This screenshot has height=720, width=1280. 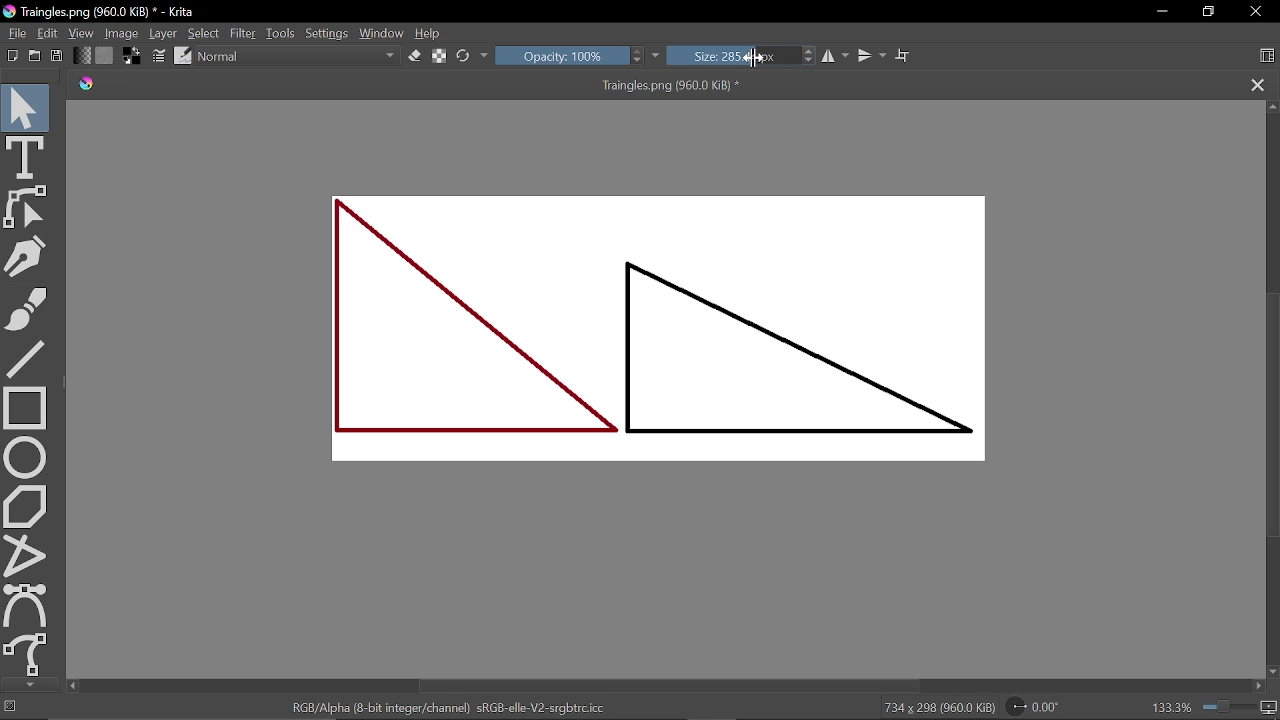 What do you see at coordinates (82, 33) in the screenshot?
I see `View` at bounding box center [82, 33].